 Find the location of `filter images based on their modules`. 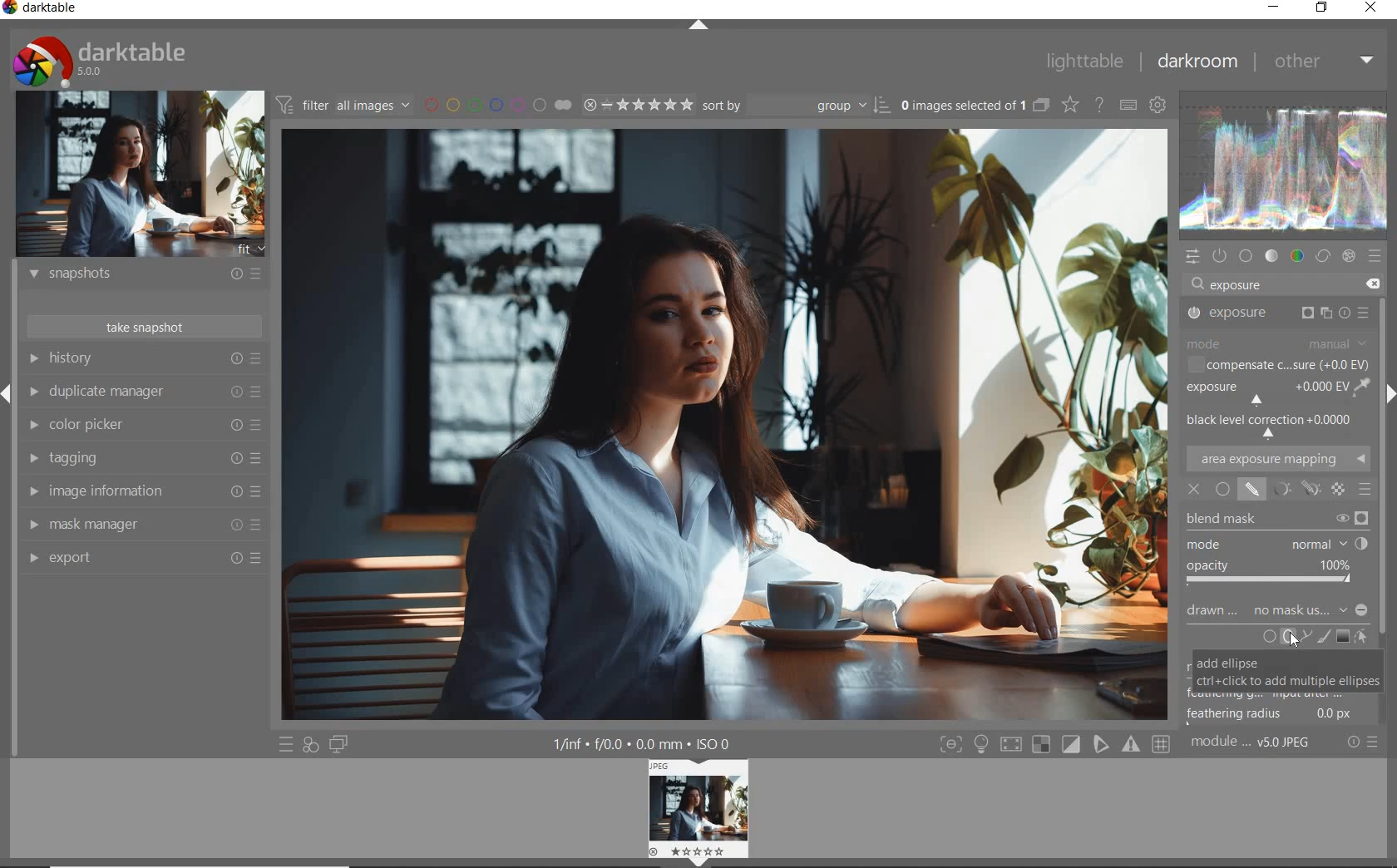

filter images based on their modules is located at coordinates (343, 103).